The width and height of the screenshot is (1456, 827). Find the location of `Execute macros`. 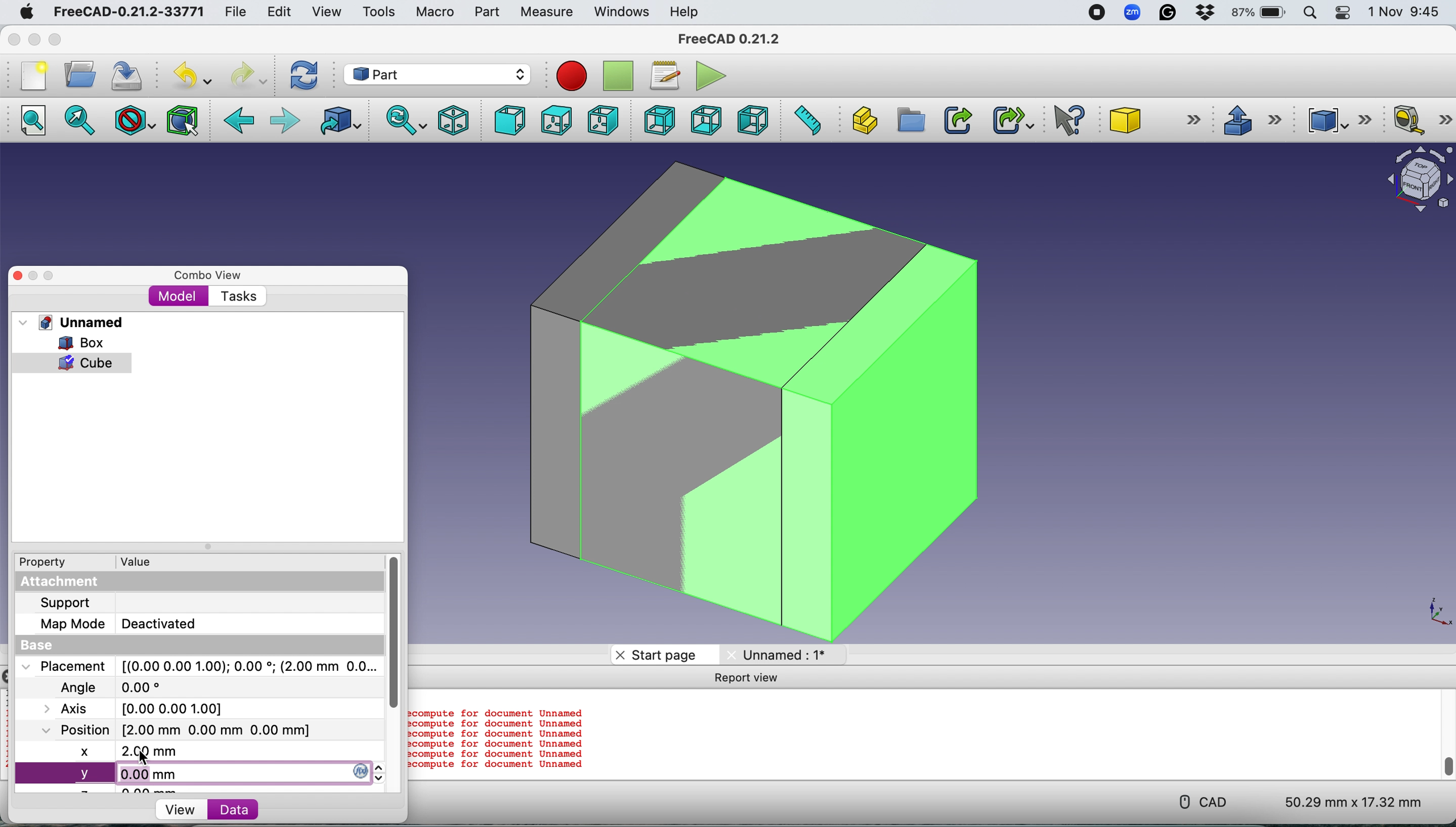

Execute macros is located at coordinates (714, 74).